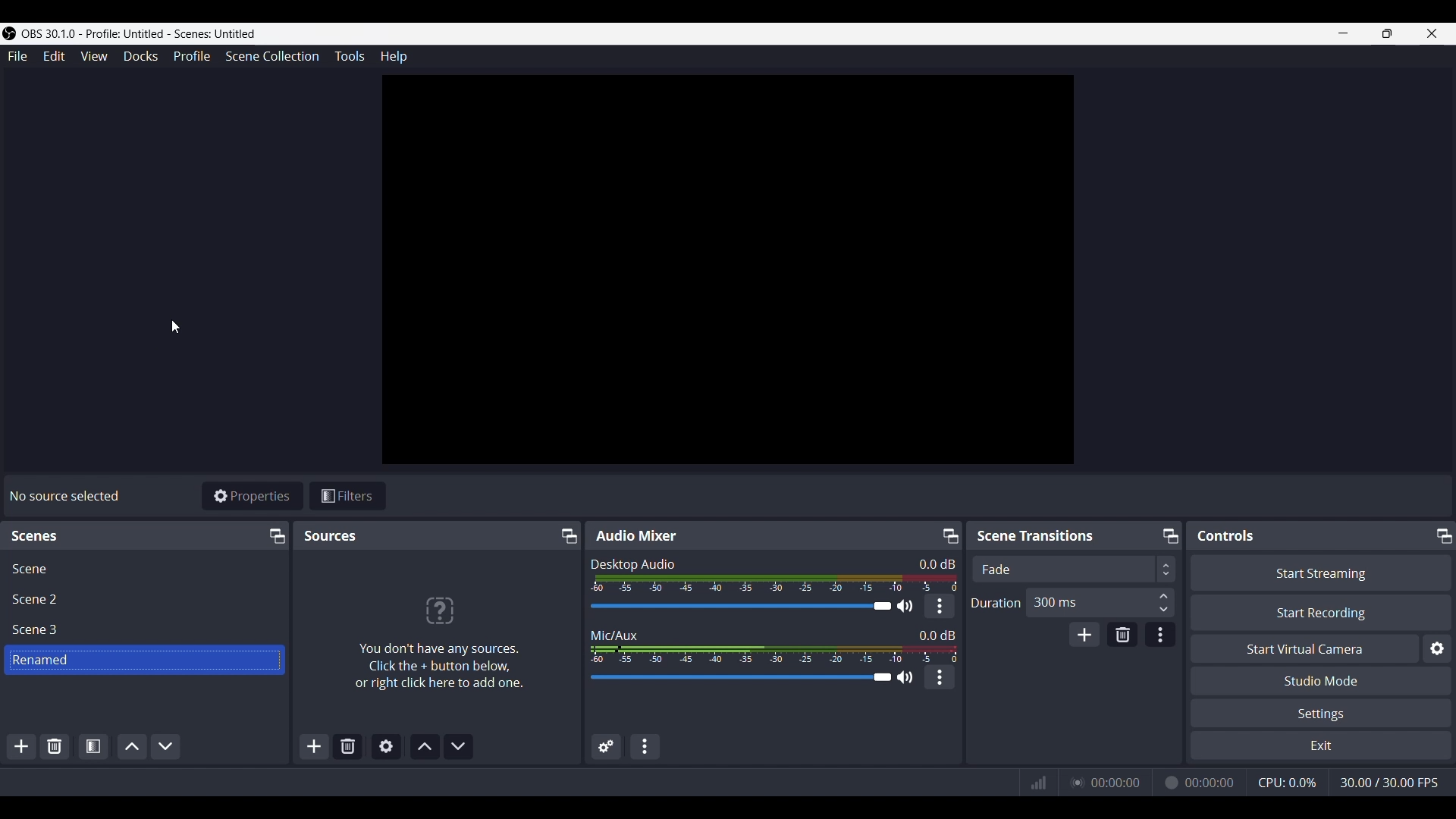 This screenshot has width=1456, height=819. Describe the element at coordinates (20, 56) in the screenshot. I see `File` at that location.